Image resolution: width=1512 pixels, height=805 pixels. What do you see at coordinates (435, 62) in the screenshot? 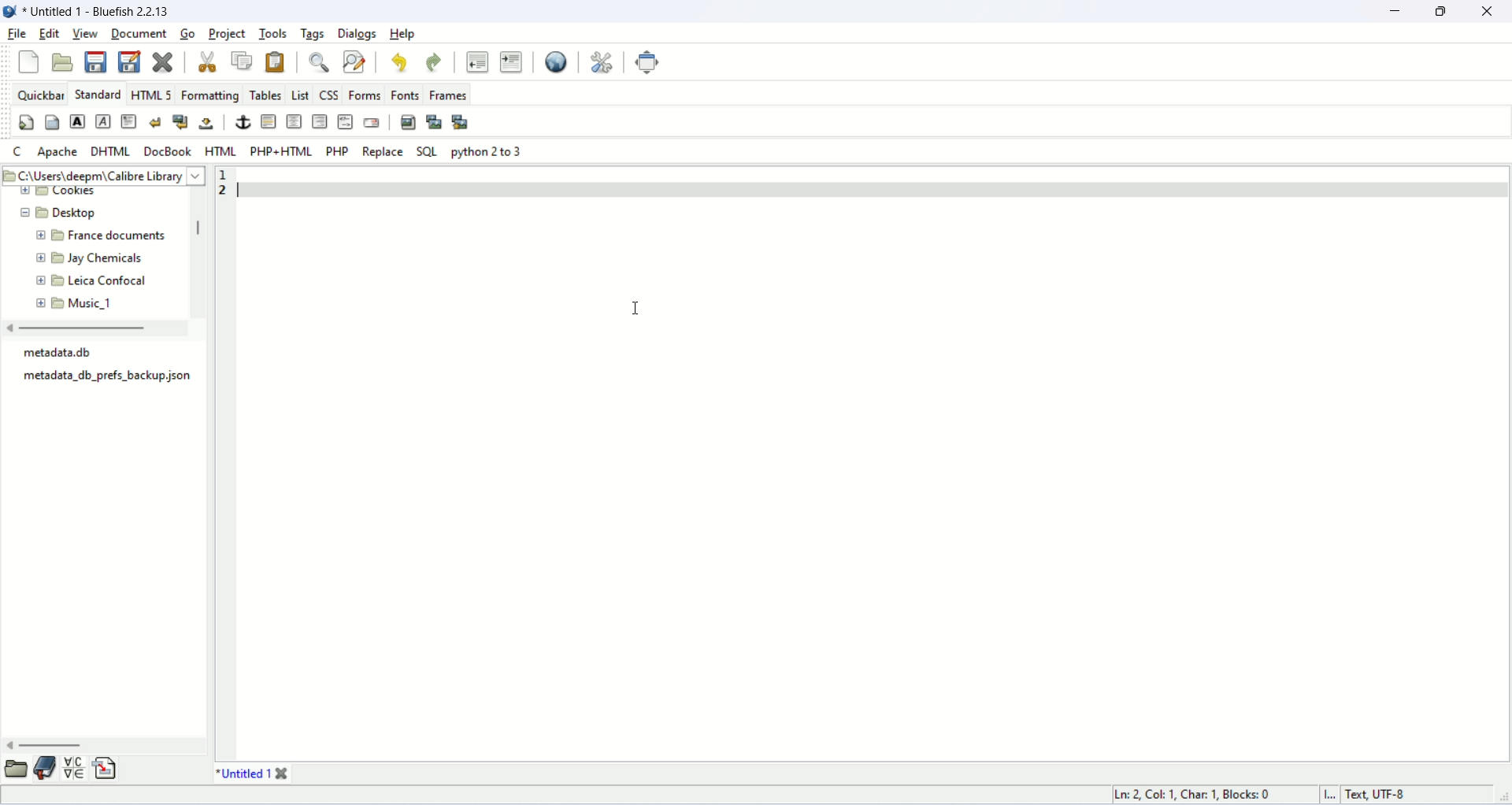
I see `redo` at bounding box center [435, 62].